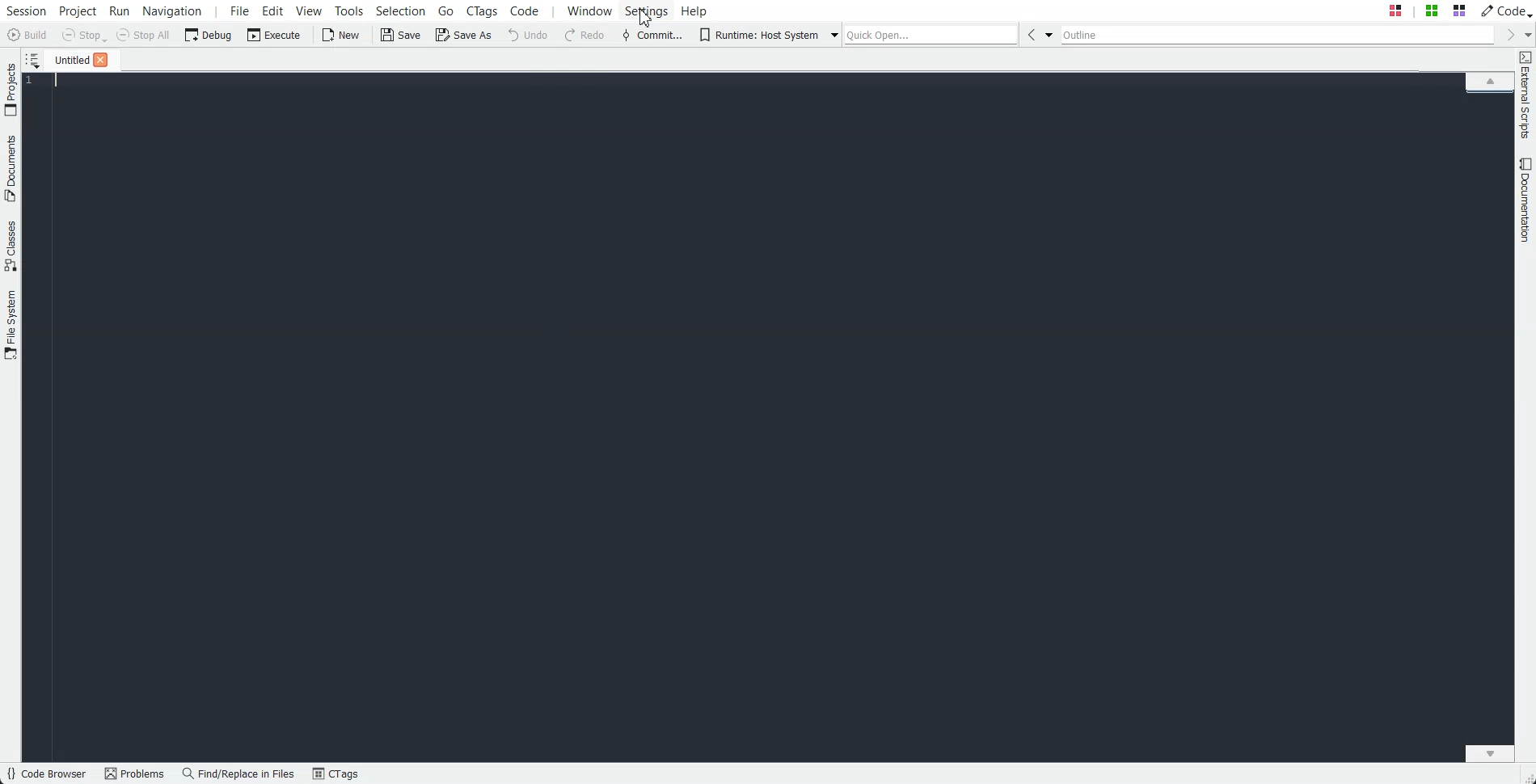 The width and height of the screenshot is (1536, 784). What do you see at coordinates (448, 10) in the screenshot?
I see `Go` at bounding box center [448, 10].